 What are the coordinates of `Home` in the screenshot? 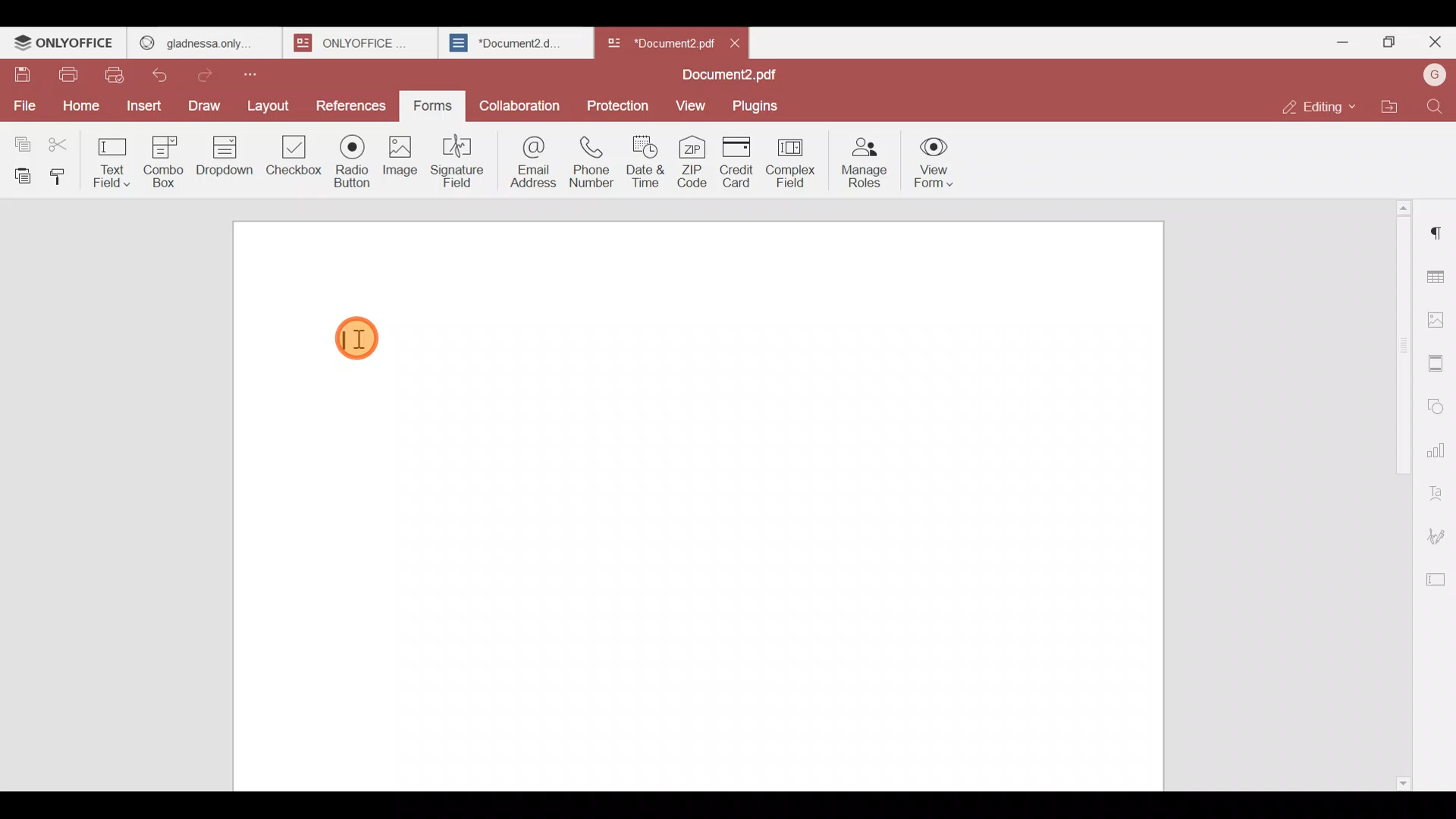 It's located at (79, 104).